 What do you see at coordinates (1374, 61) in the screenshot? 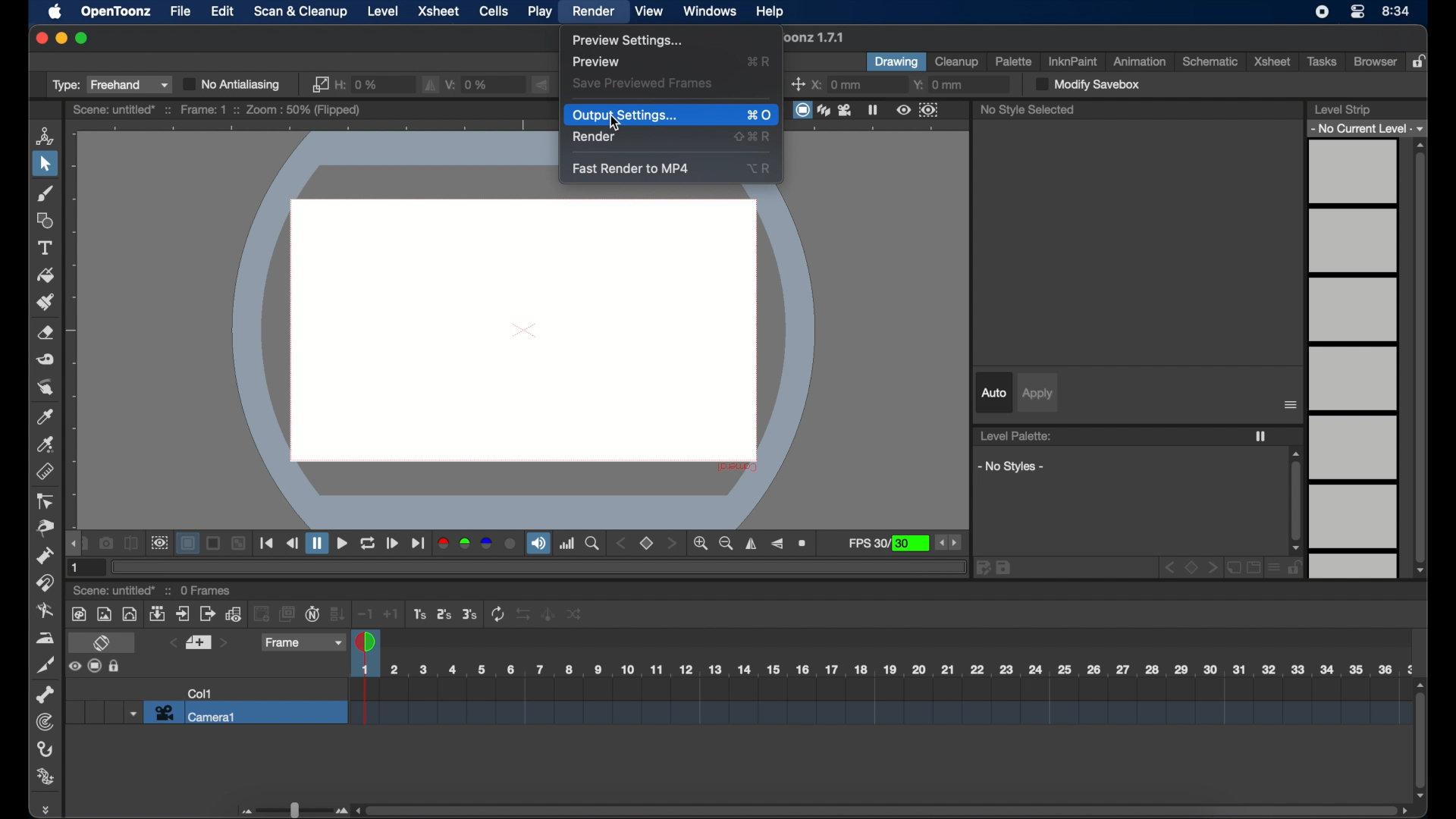
I see `browser` at bounding box center [1374, 61].